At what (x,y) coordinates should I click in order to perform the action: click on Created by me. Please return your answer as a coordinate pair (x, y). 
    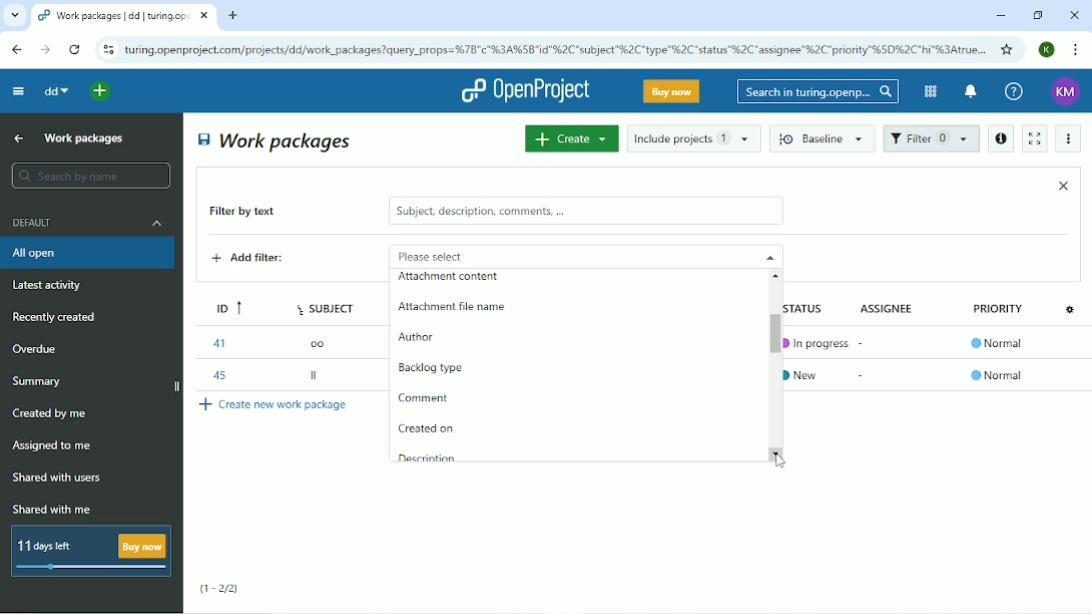
    Looking at the image, I should click on (53, 414).